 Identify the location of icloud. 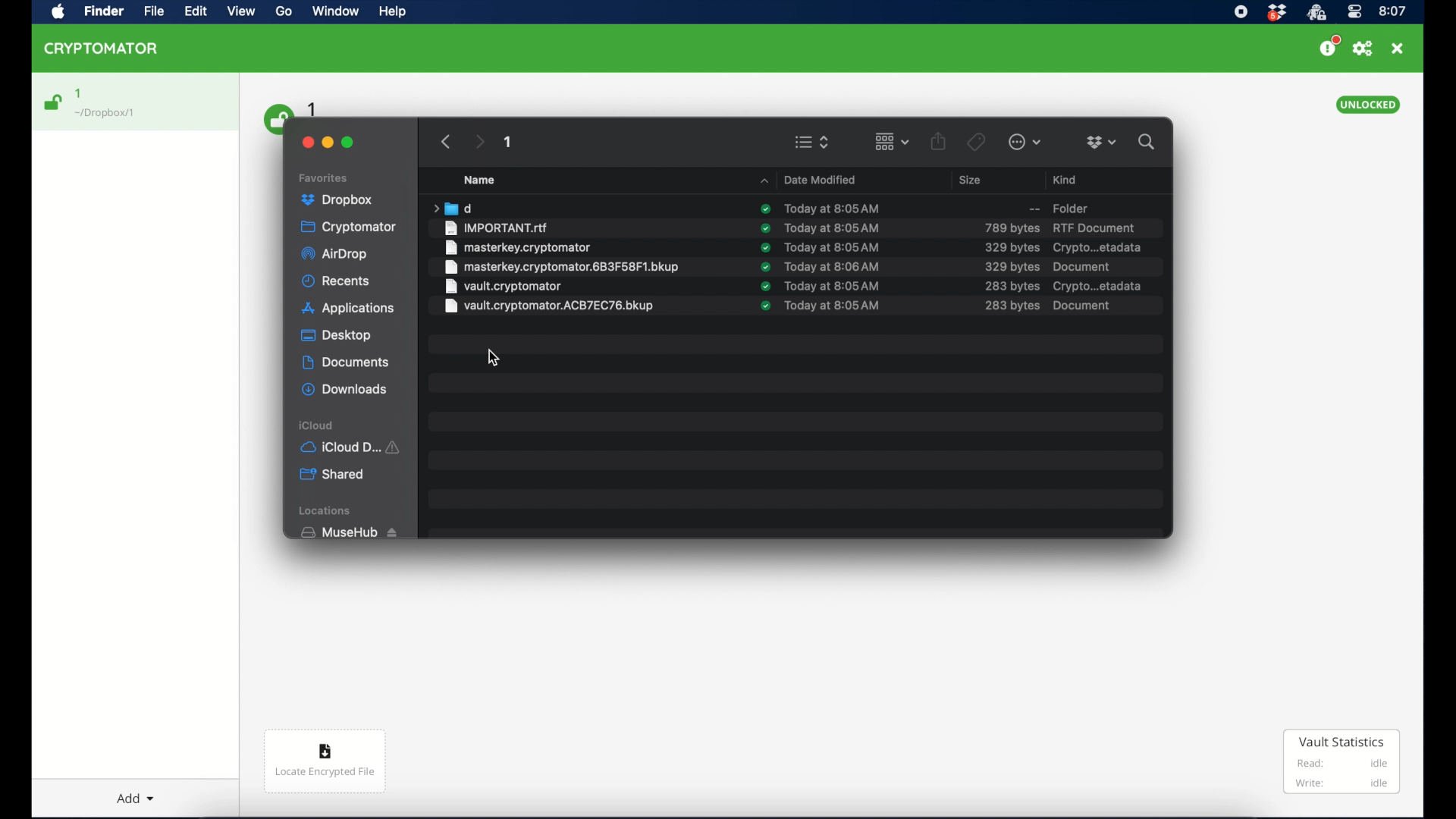
(317, 425).